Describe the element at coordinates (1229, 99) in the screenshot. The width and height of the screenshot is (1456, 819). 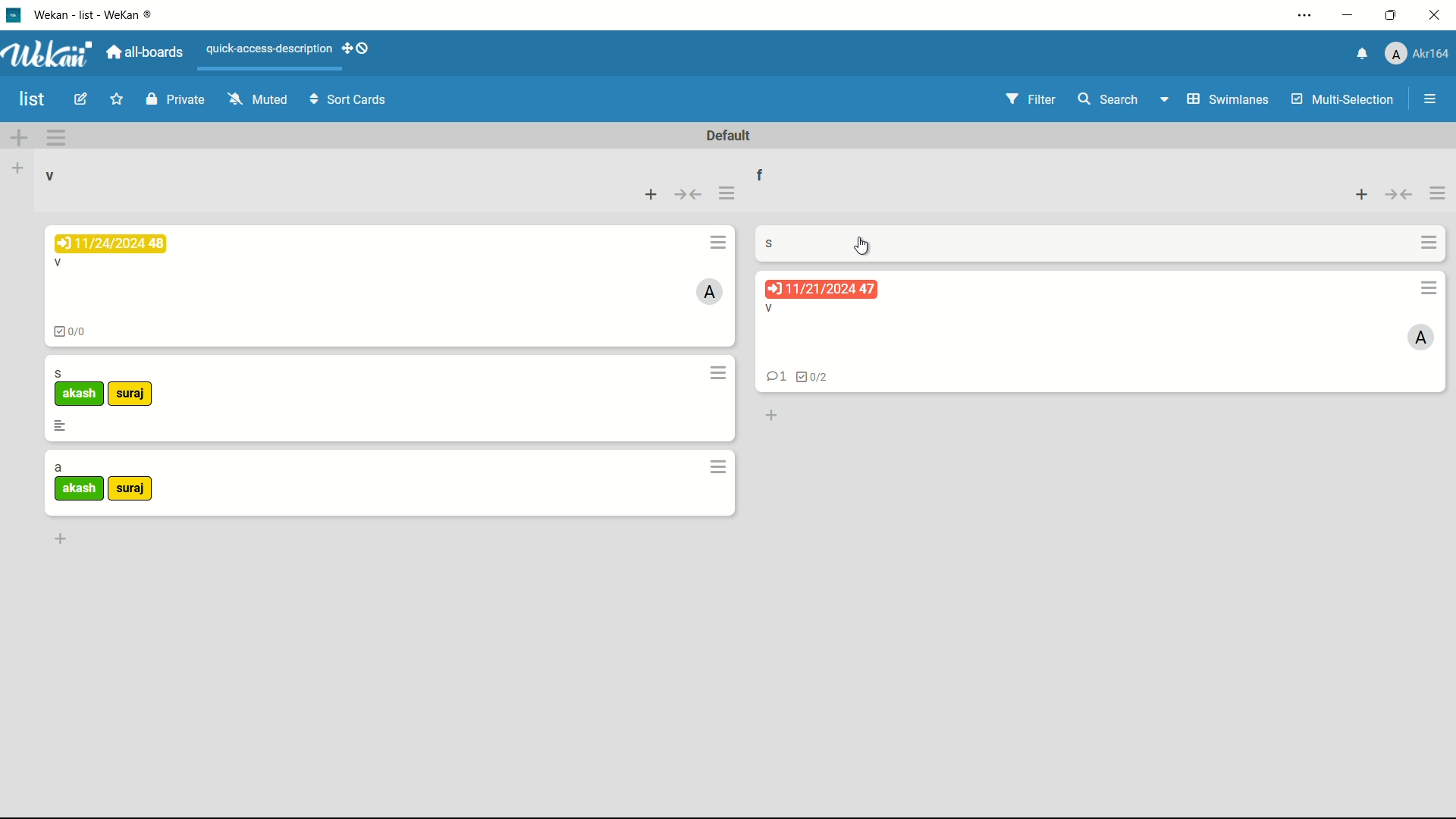
I see `swimlanes` at that location.